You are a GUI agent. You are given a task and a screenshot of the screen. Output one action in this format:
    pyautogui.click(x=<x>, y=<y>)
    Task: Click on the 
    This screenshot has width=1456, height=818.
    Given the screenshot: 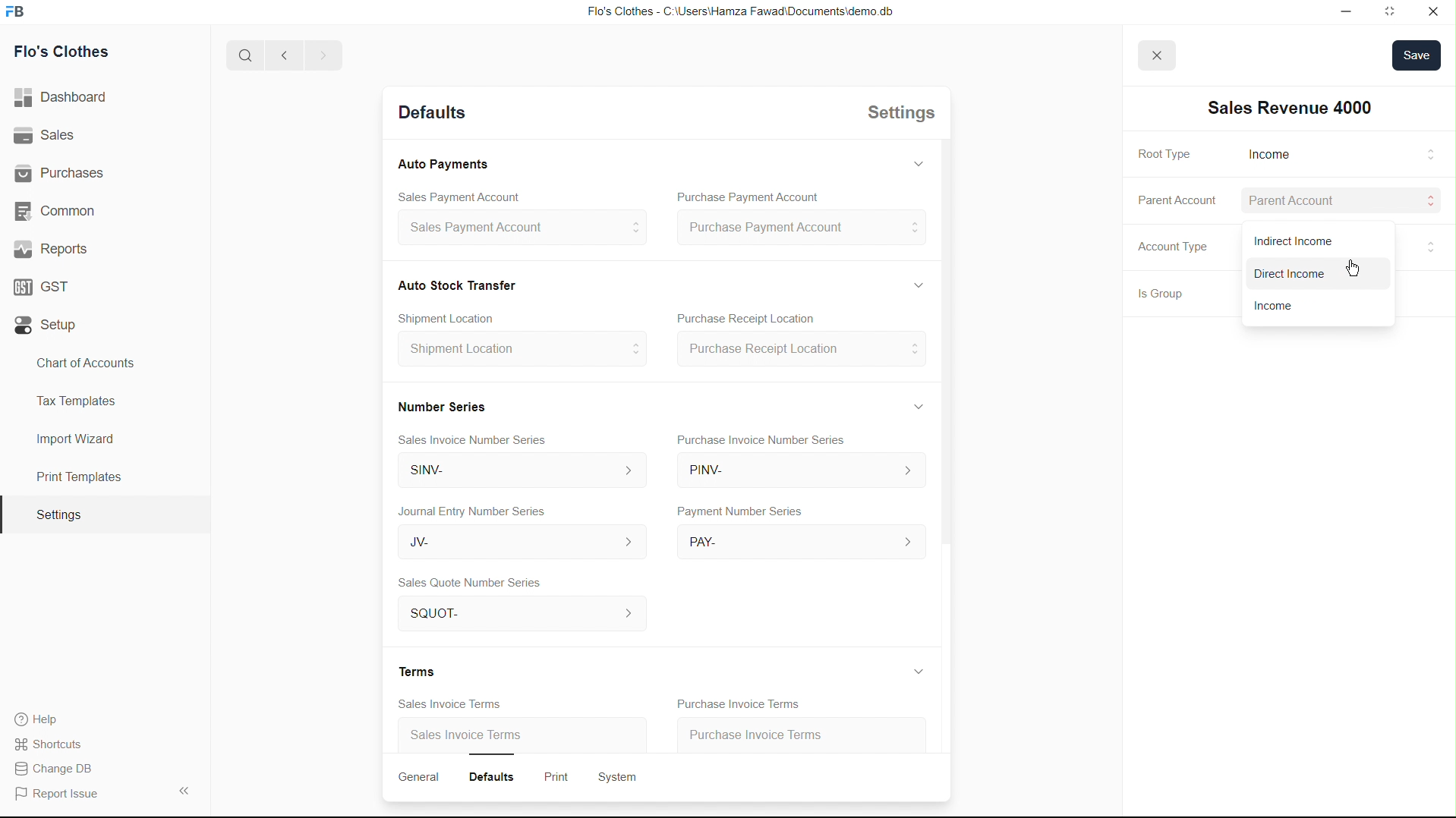 What is the action you would take?
    pyautogui.click(x=1426, y=201)
    